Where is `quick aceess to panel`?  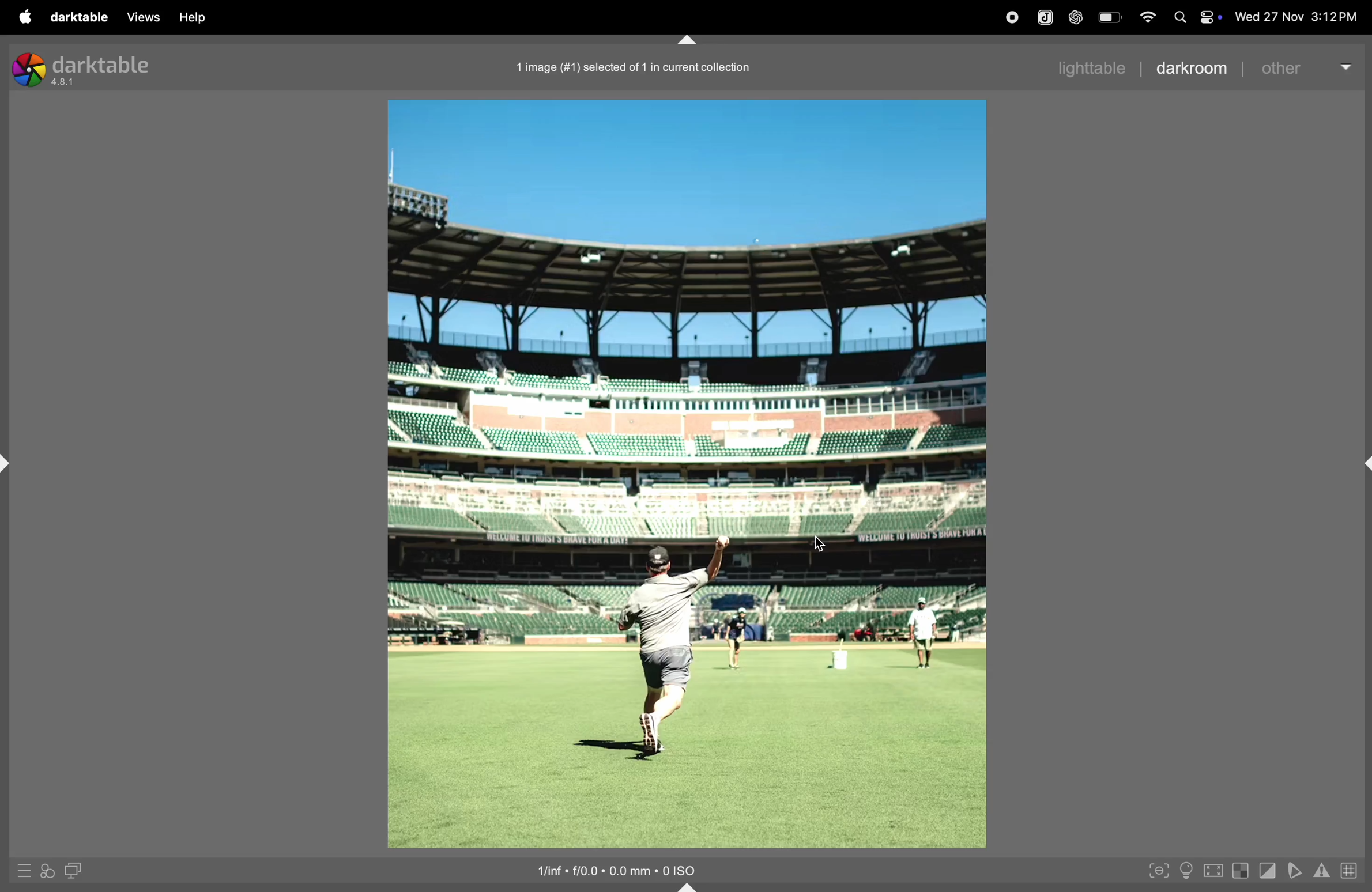 quick aceess to panel is located at coordinates (25, 870).